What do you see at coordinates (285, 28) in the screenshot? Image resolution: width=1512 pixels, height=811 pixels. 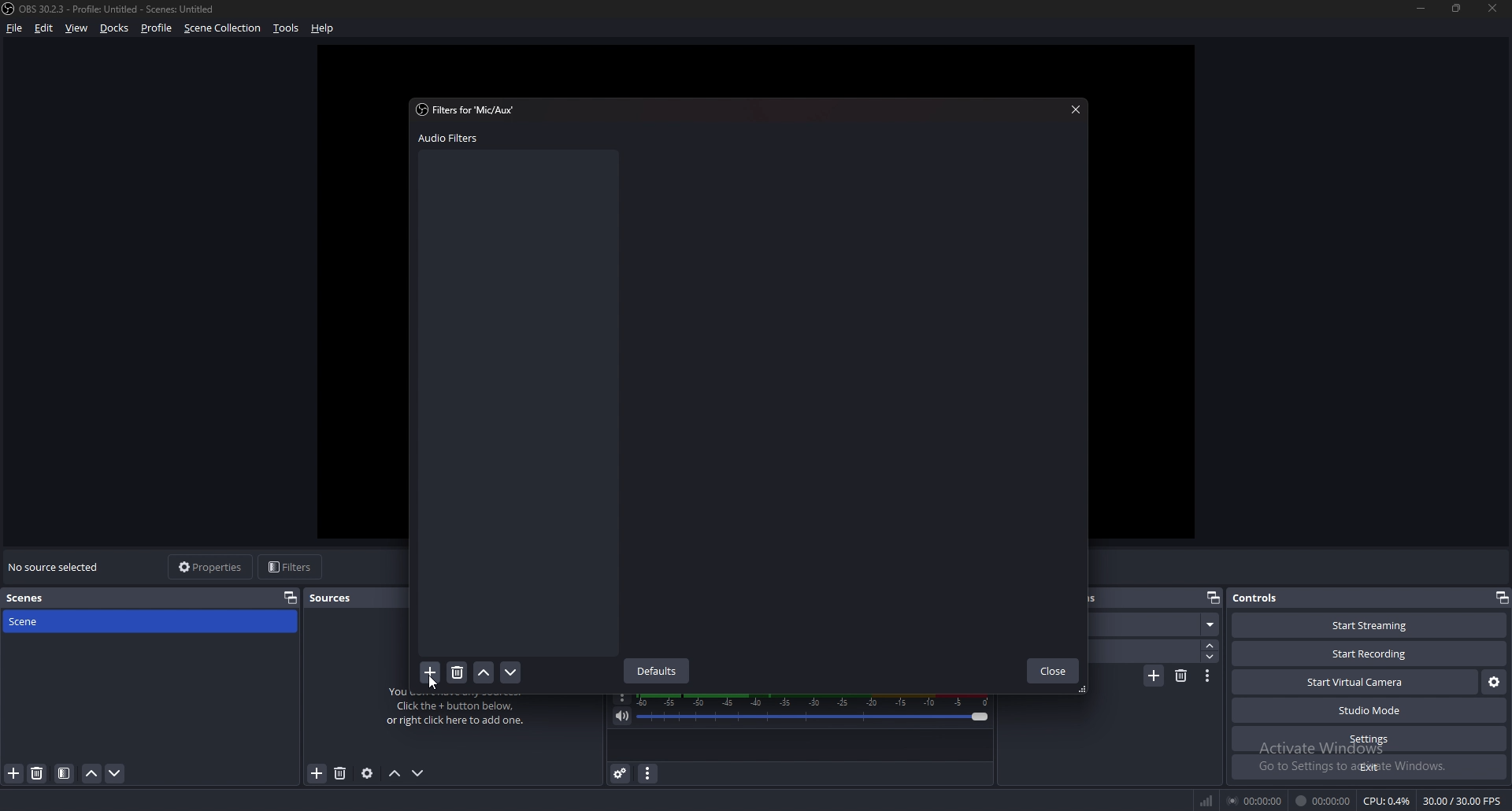 I see `tools` at bounding box center [285, 28].